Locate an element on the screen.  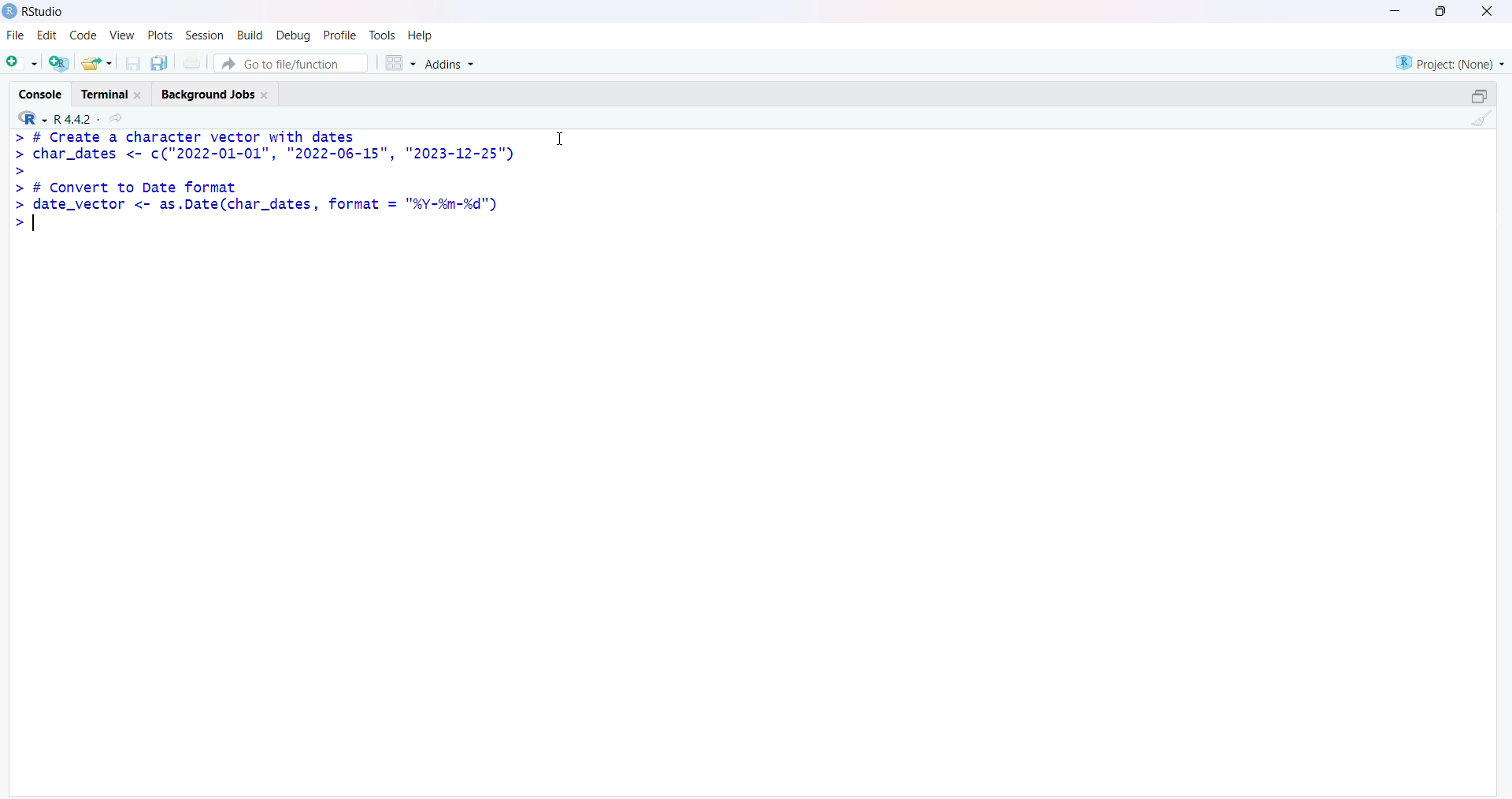
View is located at coordinates (121, 37).